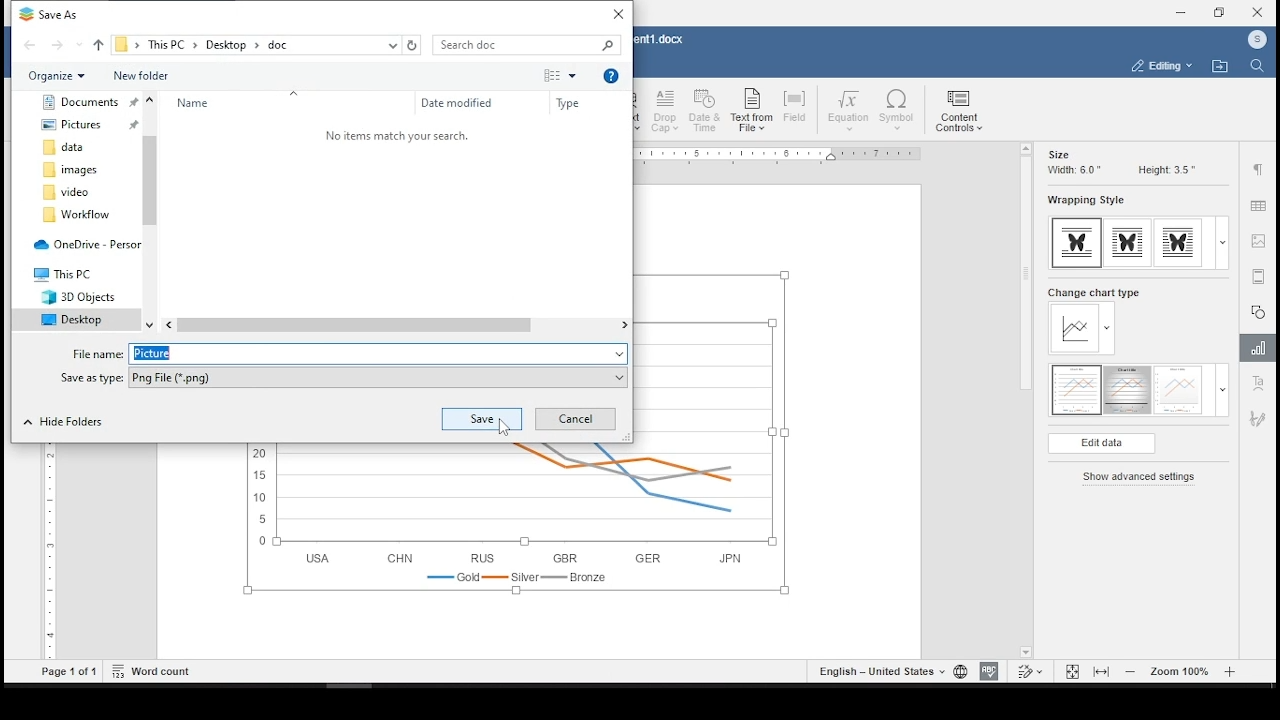 The width and height of the screenshot is (1280, 720). What do you see at coordinates (849, 110) in the screenshot?
I see `equation` at bounding box center [849, 110].